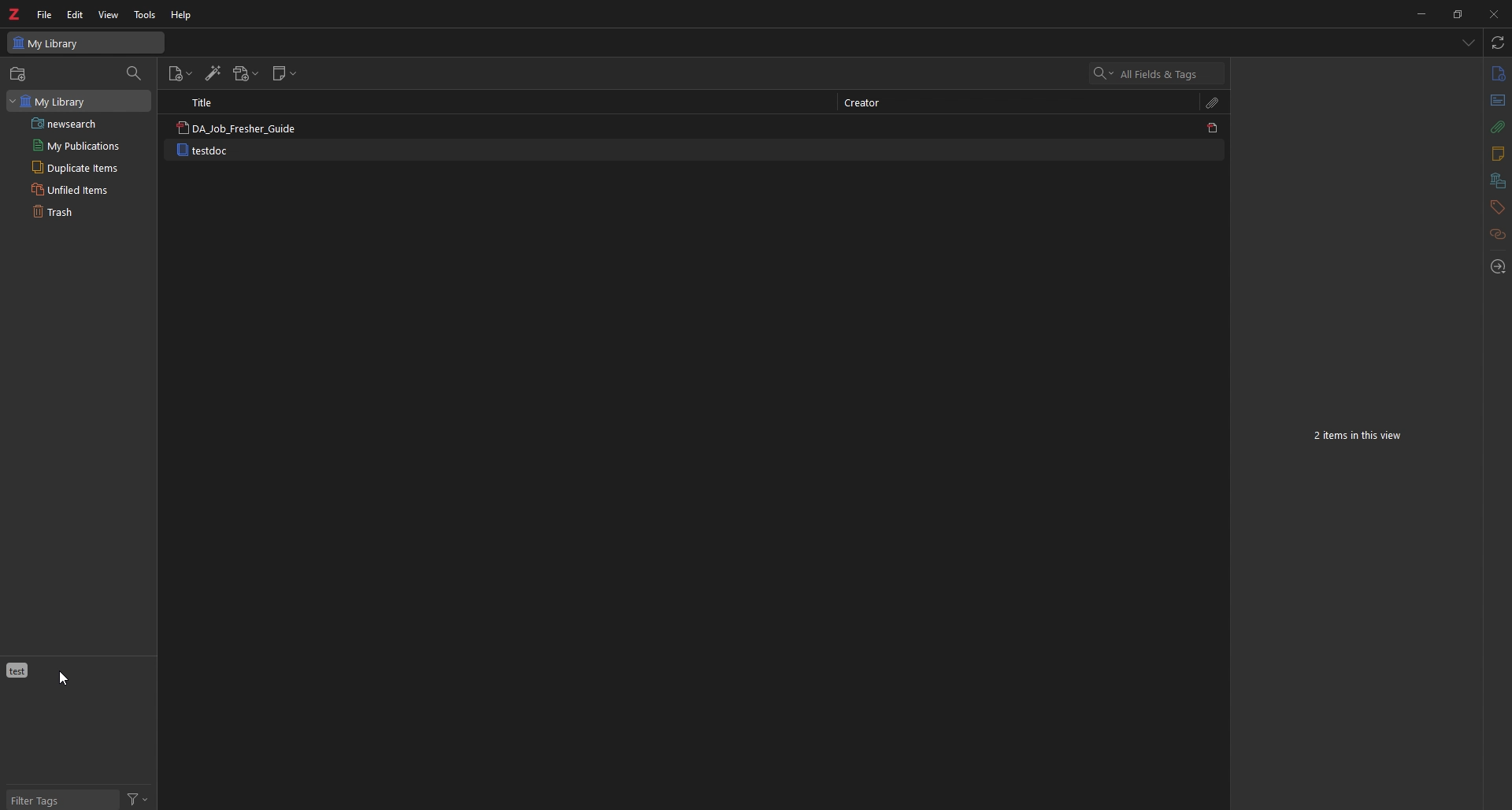  I want to click on new note, so click(284, 74).